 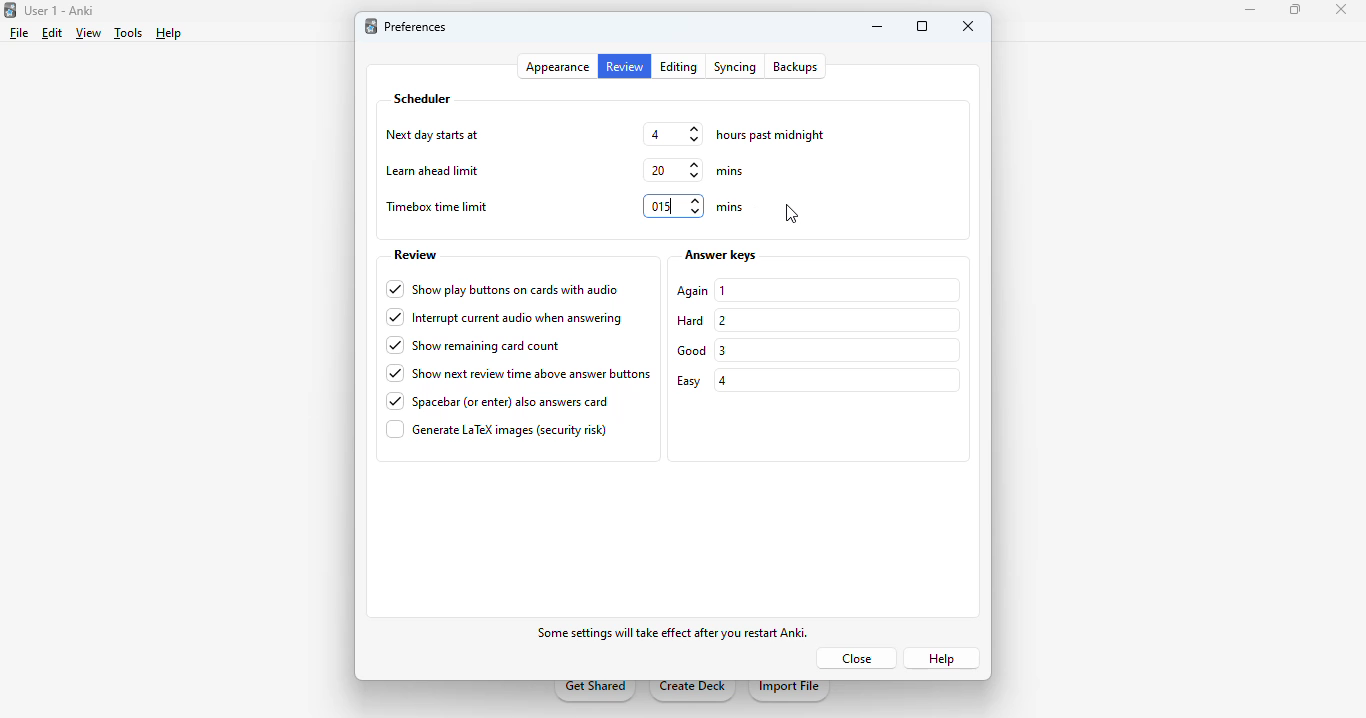 What do you see at coordinates (519, 373) in the screenshot?
I see `show next review time above answer buttons` at bounding box center [519, 373].